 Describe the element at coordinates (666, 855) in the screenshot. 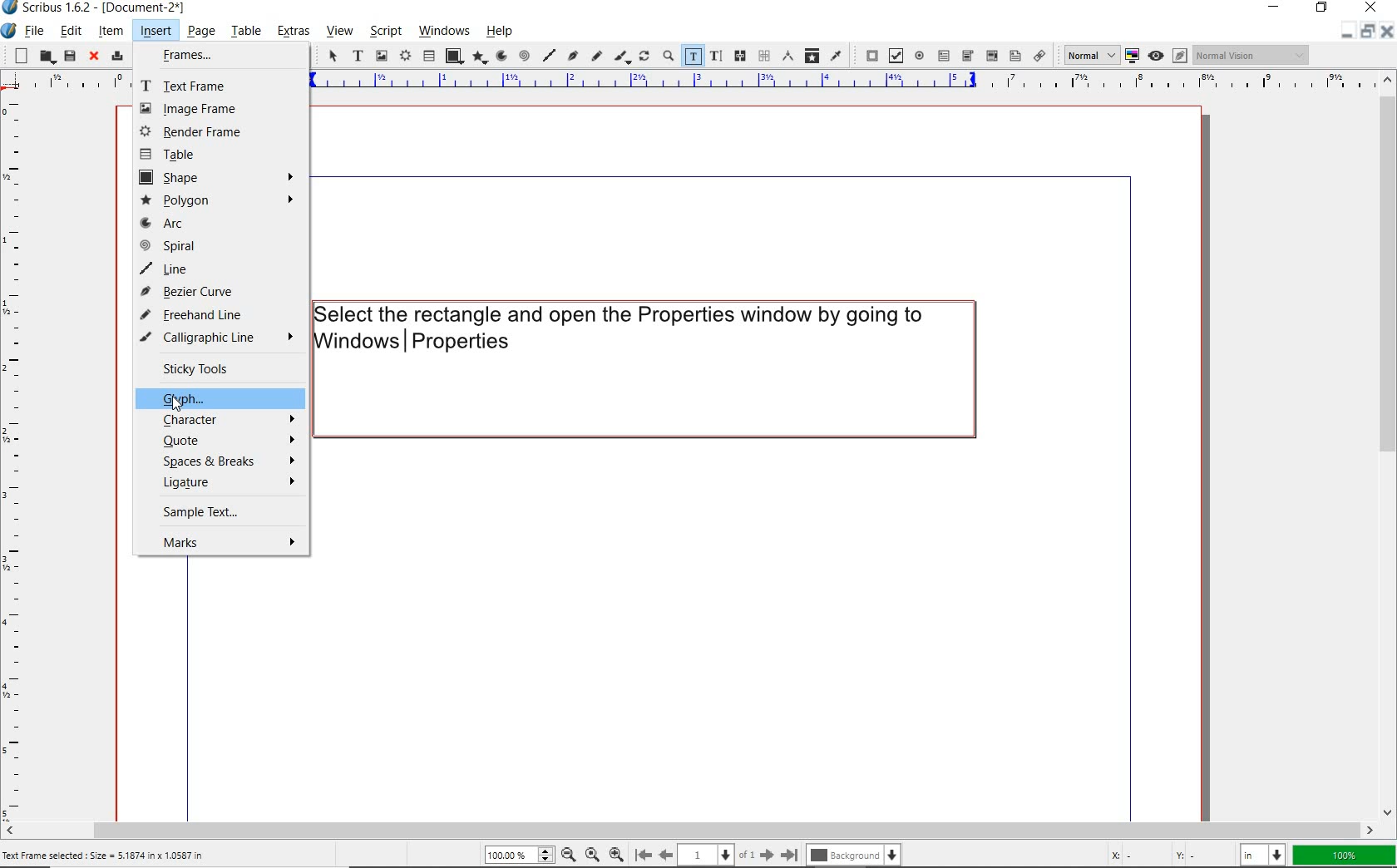

I see `got to previous page` at that location.